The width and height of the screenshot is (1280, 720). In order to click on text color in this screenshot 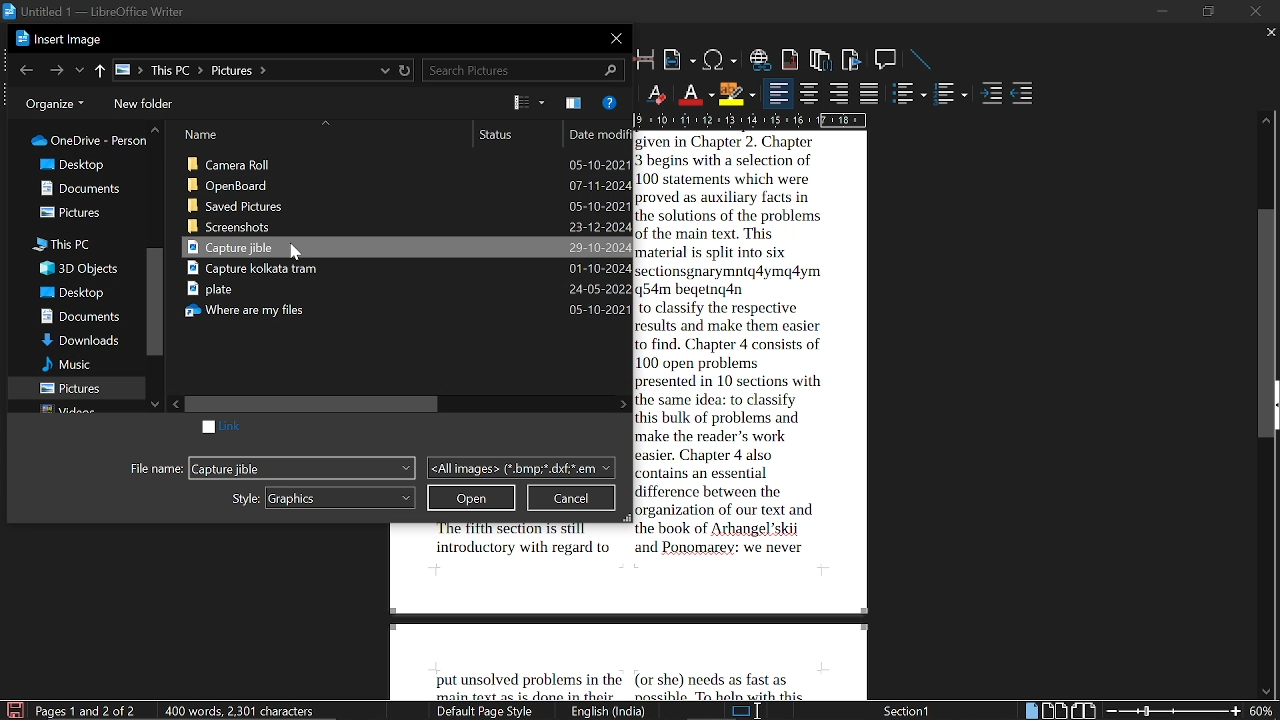, I will do `click(695, 94)`.